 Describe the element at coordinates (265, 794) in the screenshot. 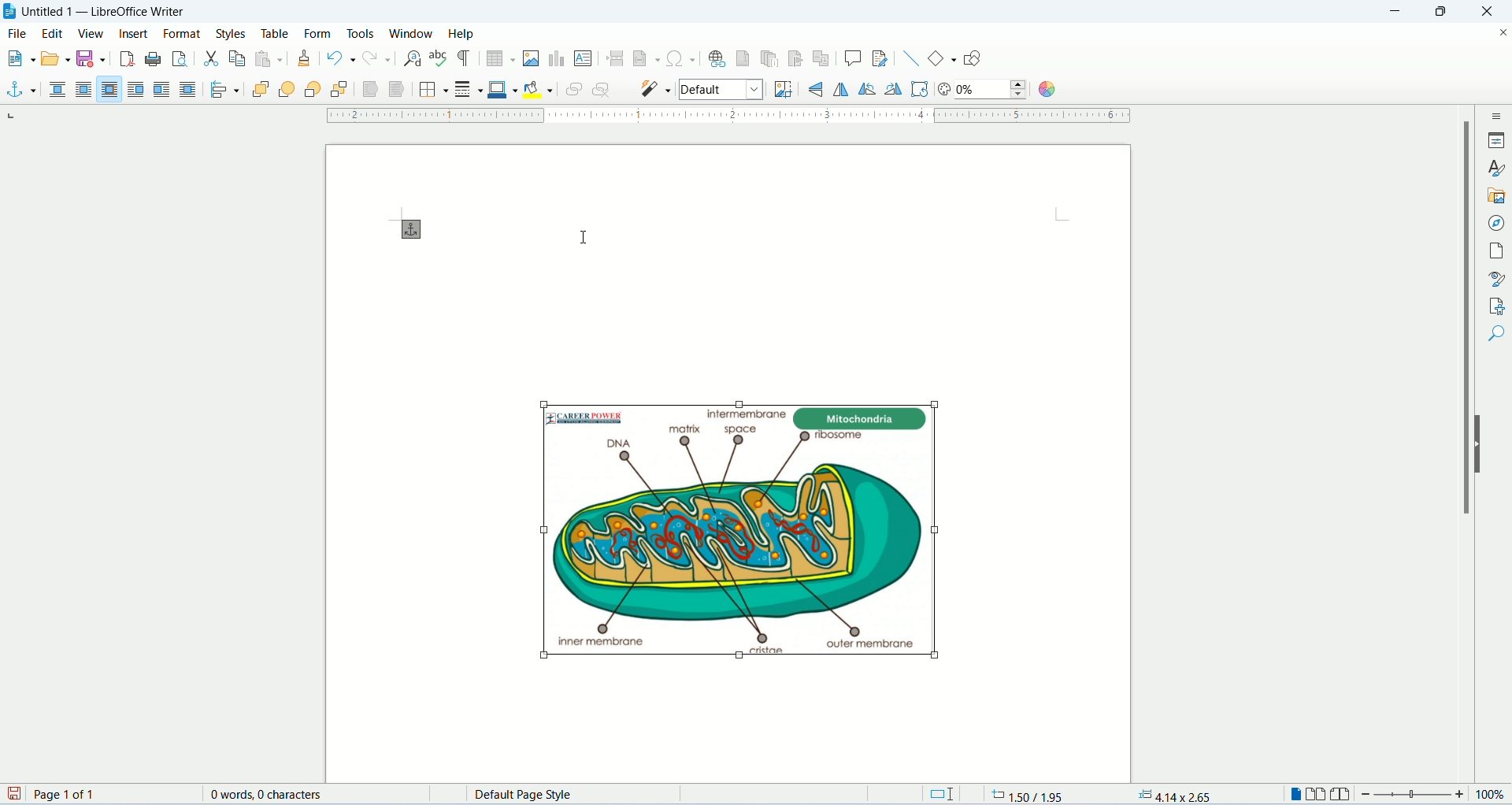

I see `0 words, 0 characters` at that location.